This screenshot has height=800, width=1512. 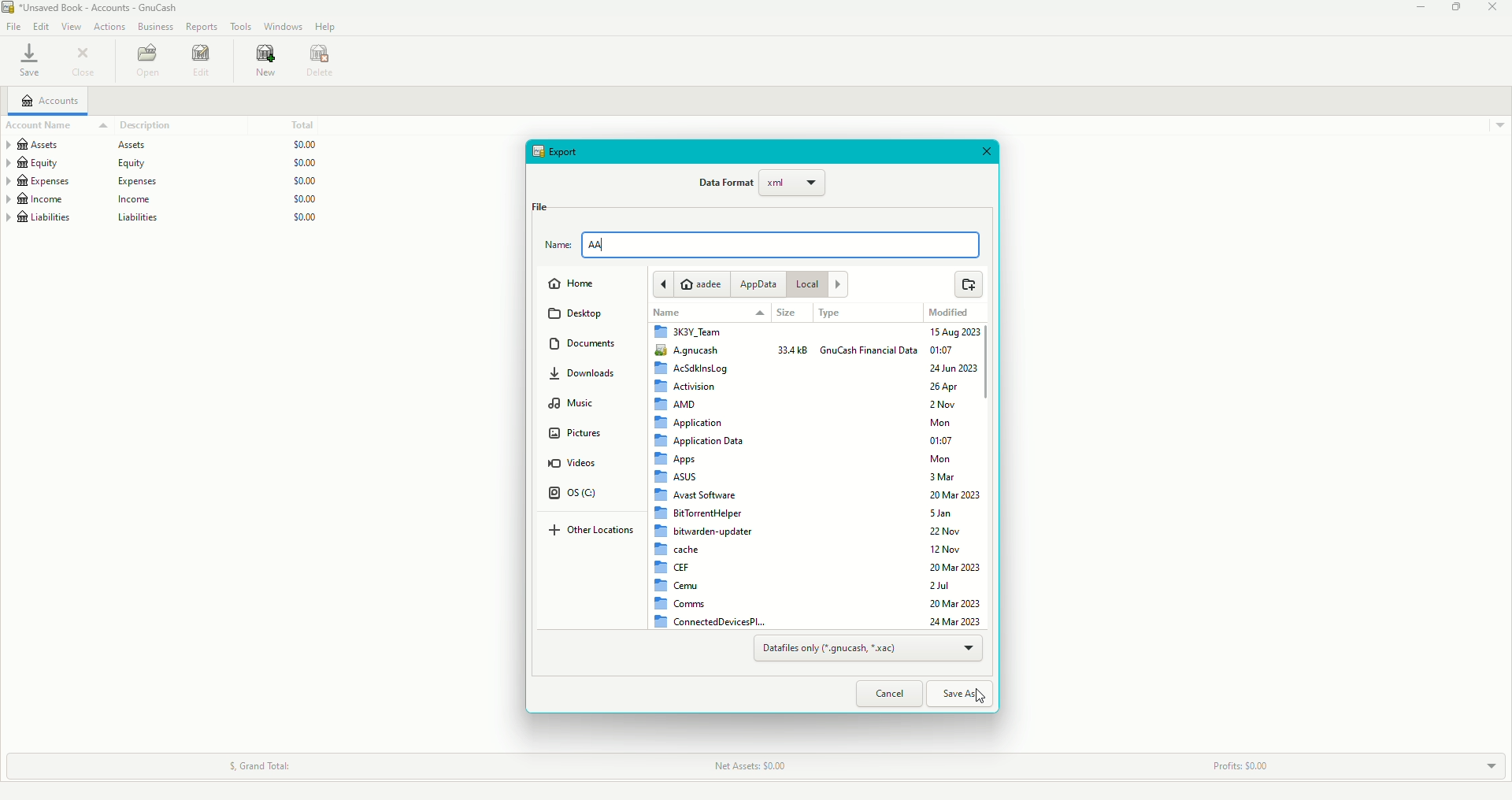 What do you see at coordinates (867, 649) in the screenshot?
I see `Datafiles only` at bounding box center [867, 649].